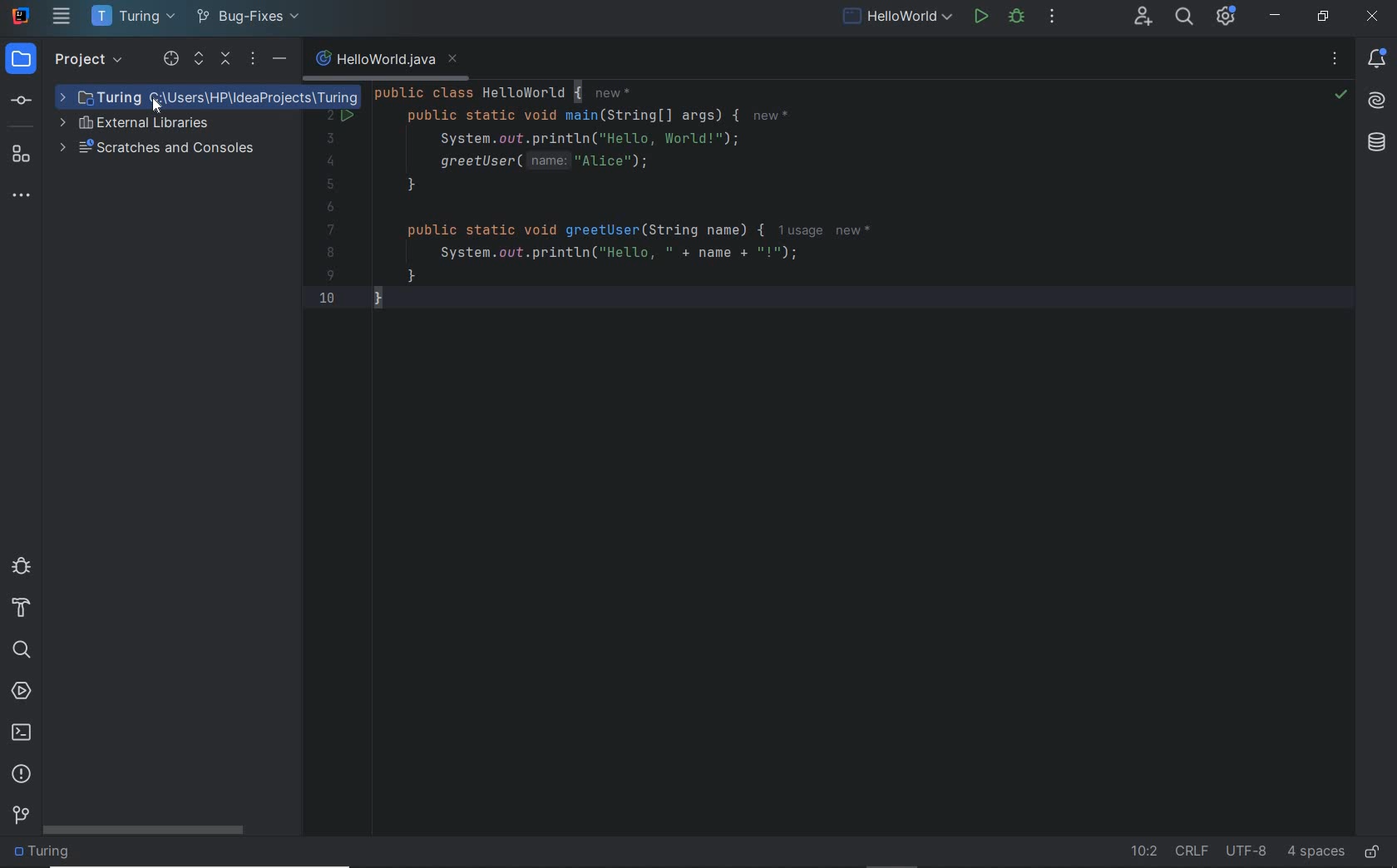 Image resolution: width=1397 pixels, height=868 pixels. Describe the element at coordinates (278, 60) in the screenshot. I see `hide` at that location.